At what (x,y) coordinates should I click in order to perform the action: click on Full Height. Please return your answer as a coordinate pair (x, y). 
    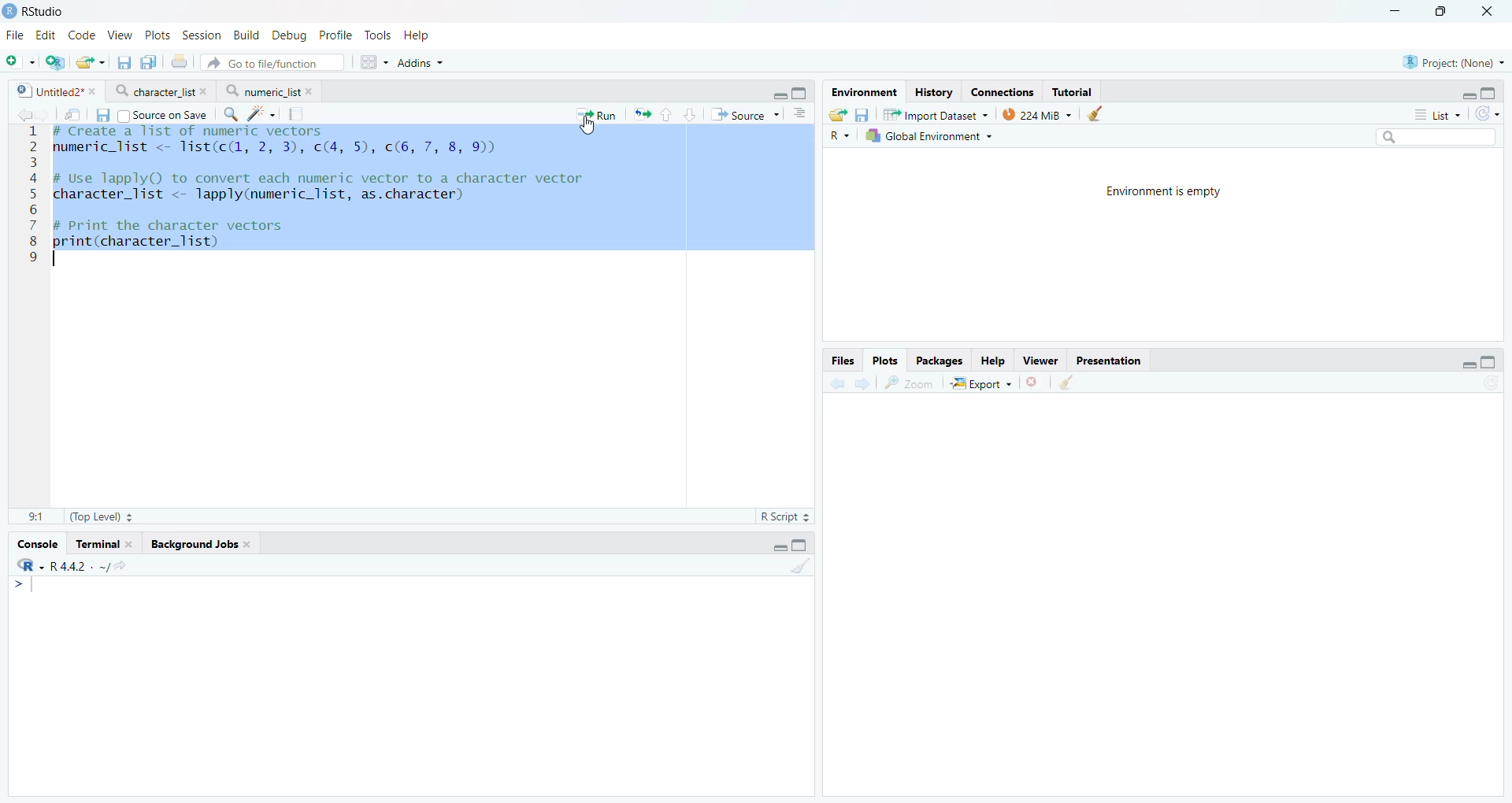
    Looking at the image, I should click on (1490, 91).